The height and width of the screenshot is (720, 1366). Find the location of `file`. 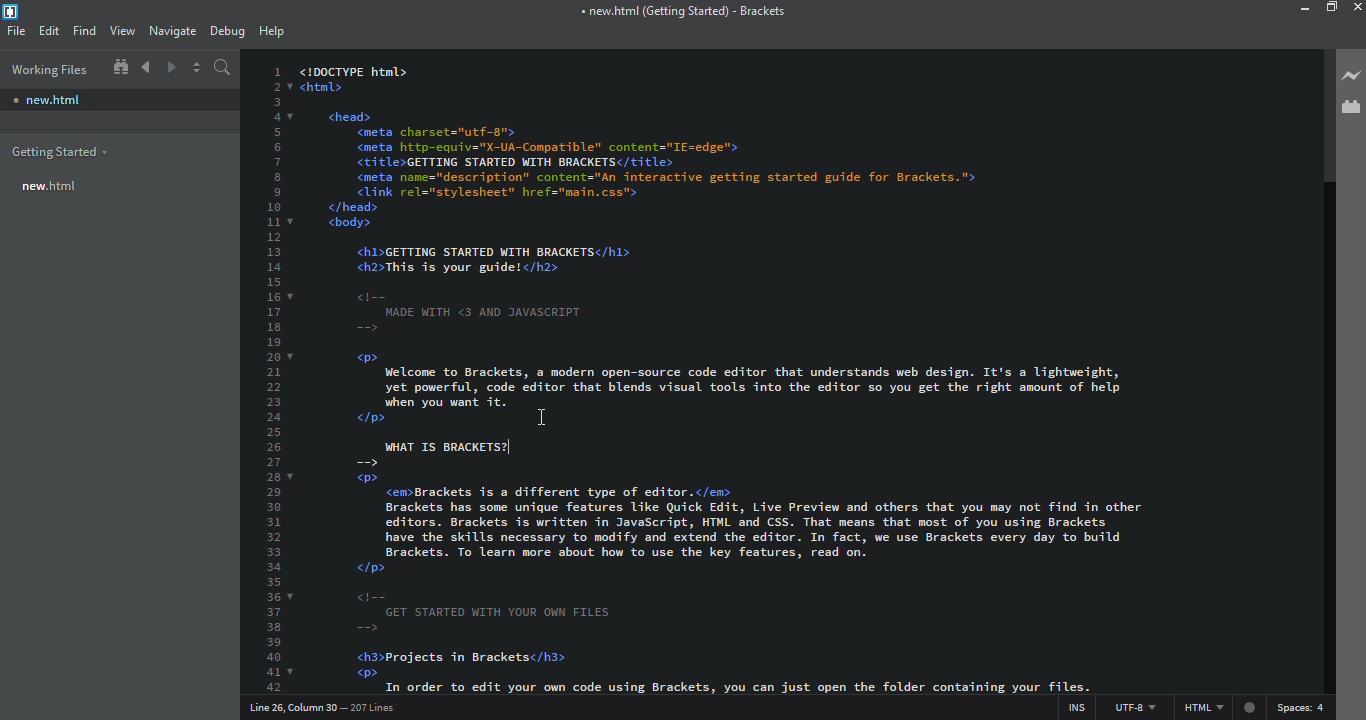

file is located at coordinates (17, 31).